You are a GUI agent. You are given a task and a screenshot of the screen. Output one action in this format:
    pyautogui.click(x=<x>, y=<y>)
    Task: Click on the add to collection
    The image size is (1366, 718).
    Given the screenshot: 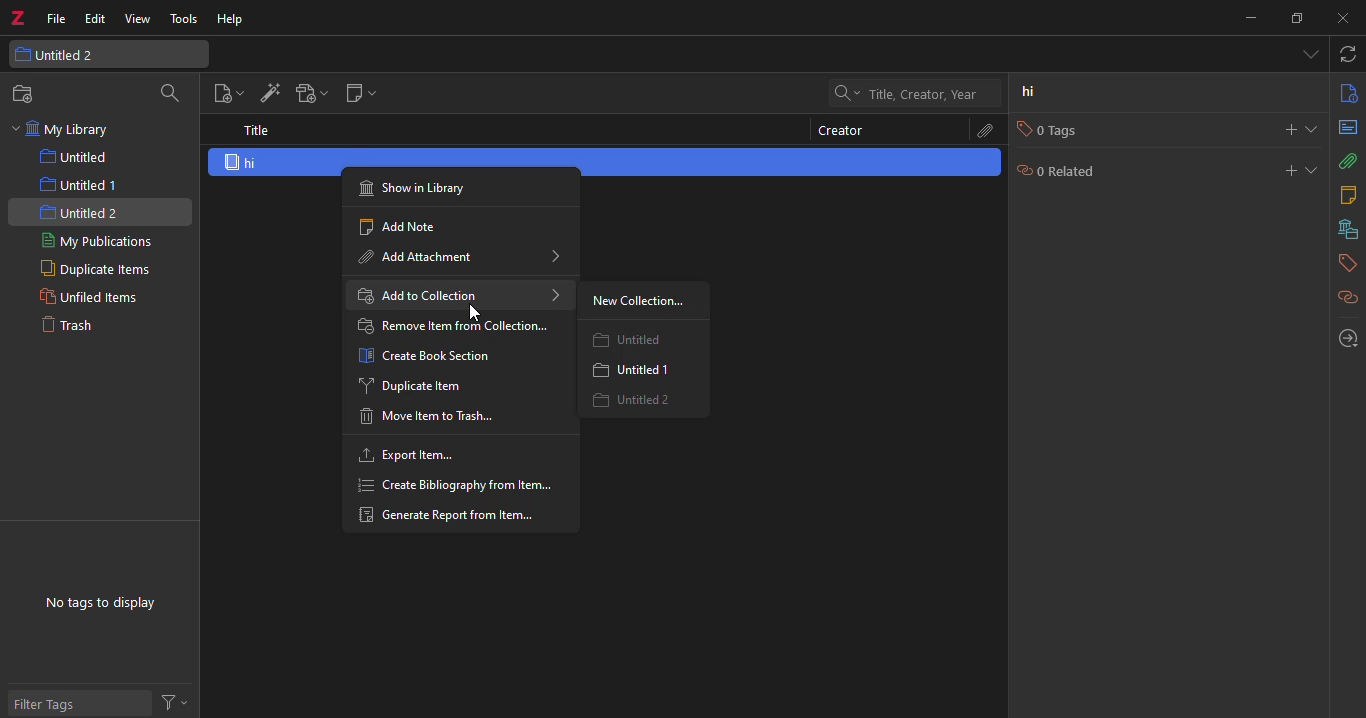 What is the action you would take?
    pyautogui.click(x=455, y=295)
    